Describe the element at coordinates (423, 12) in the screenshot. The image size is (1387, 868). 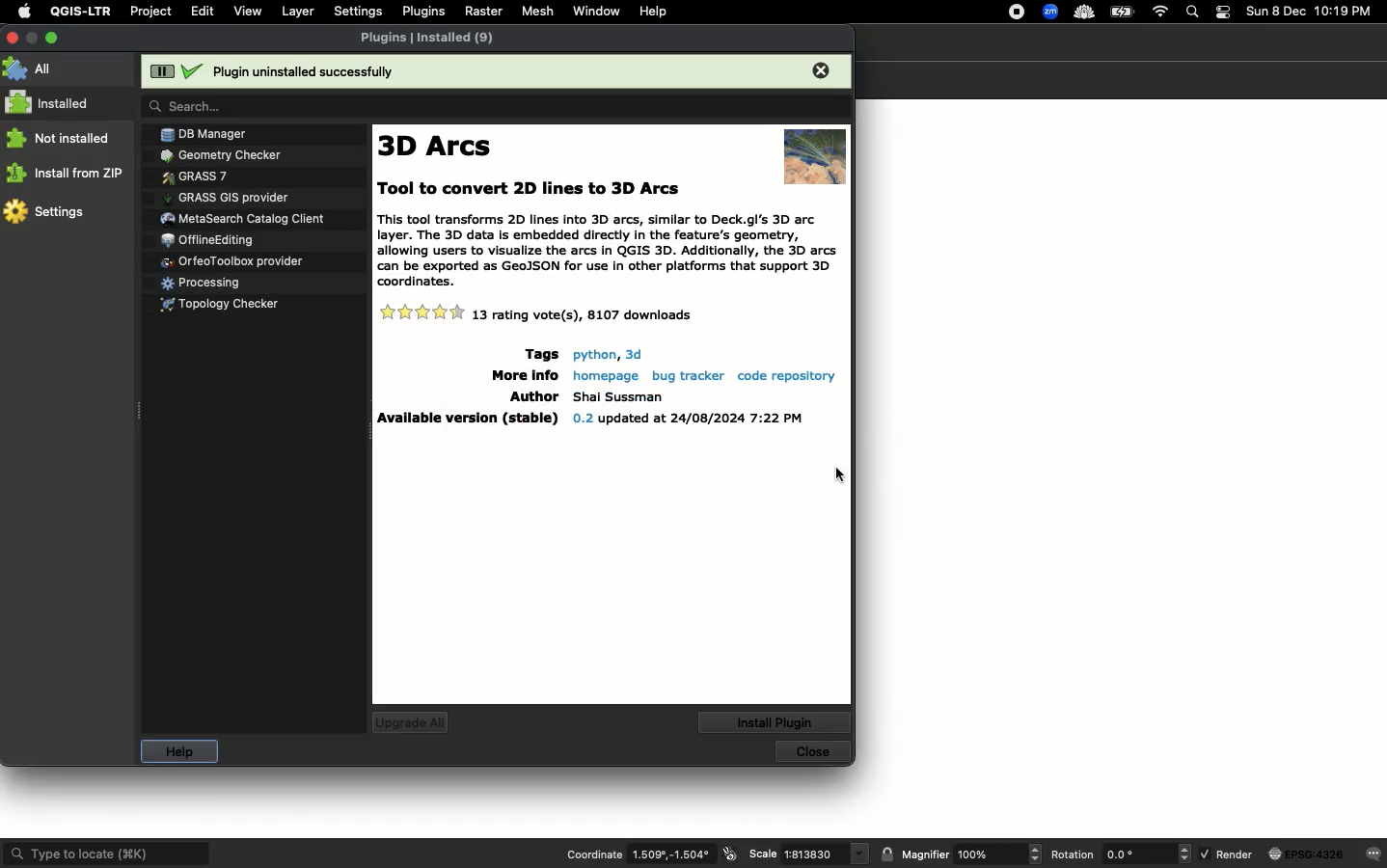
I see `Plugins` at that location.